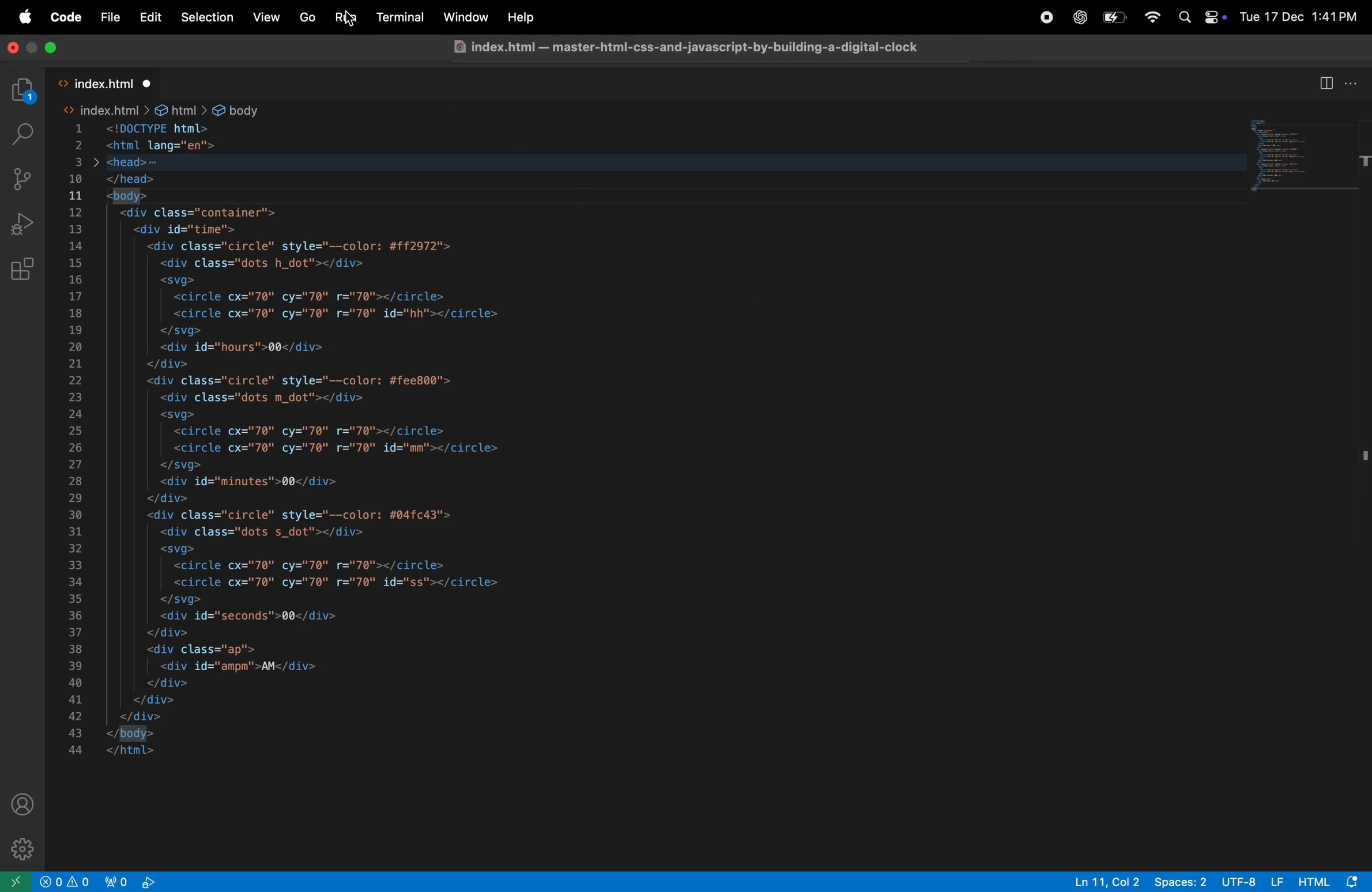 This screenshot has height=892, width=1372. What do you see at coordinates (1183, 17) in the screenshot?
I see `Spotlight` at bounding box center [1183, 17].